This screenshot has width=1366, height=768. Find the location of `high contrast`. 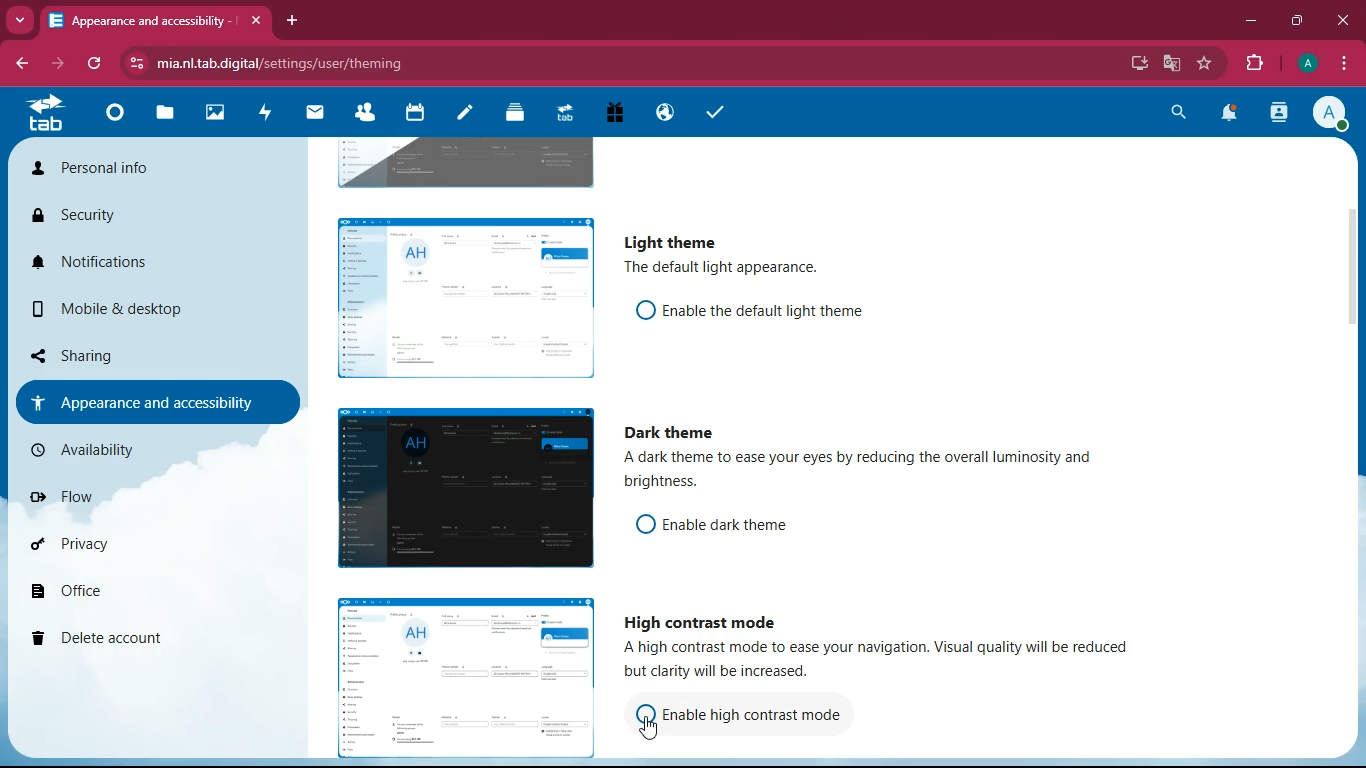

high contrast is located at coordinates (701, 619).